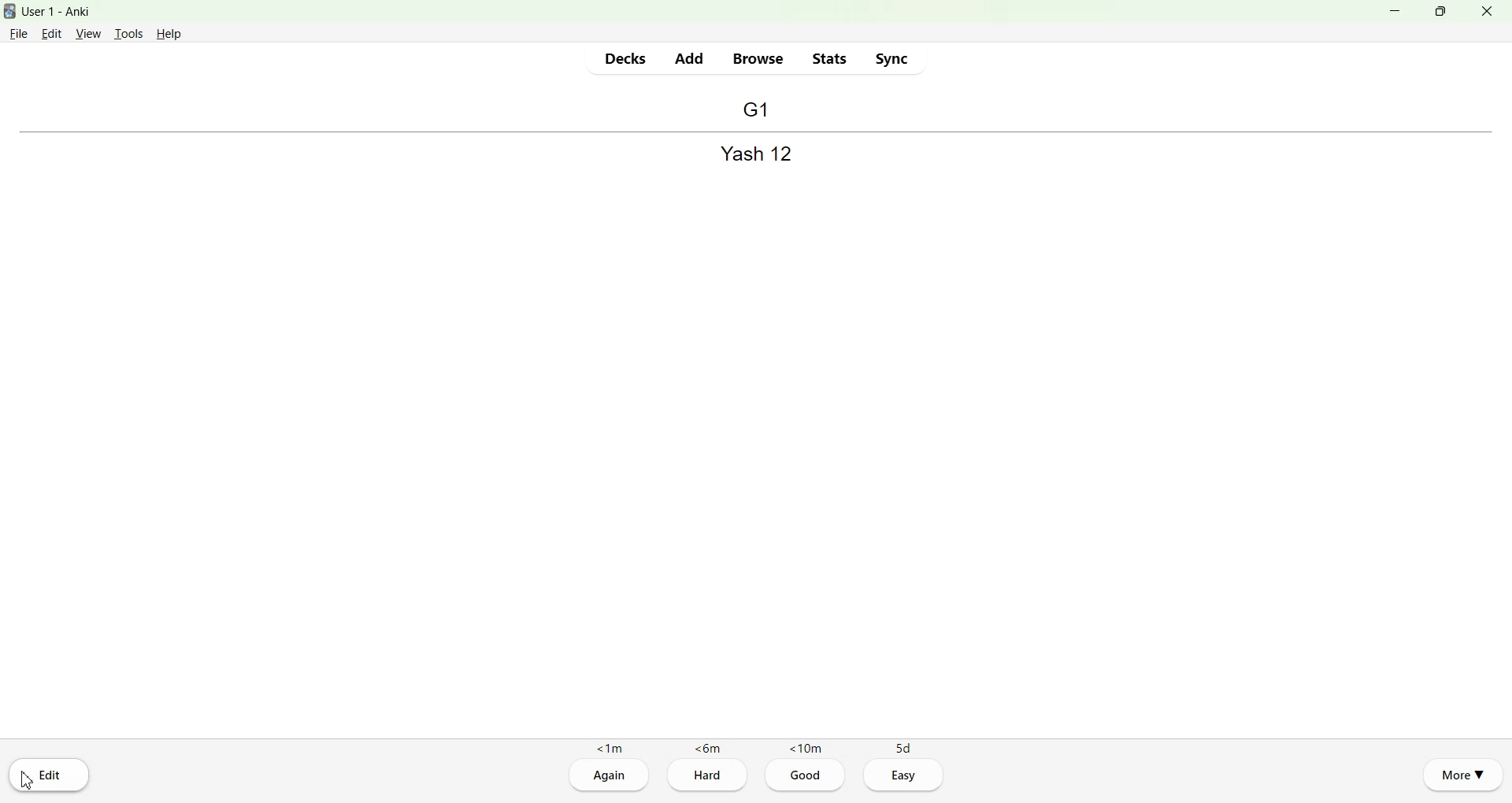 Image resolution: width=1512 pixels, height=803 pixels. Describe the element at coordinates (53, 33) in the screenshot. I see `Edit` at that location.